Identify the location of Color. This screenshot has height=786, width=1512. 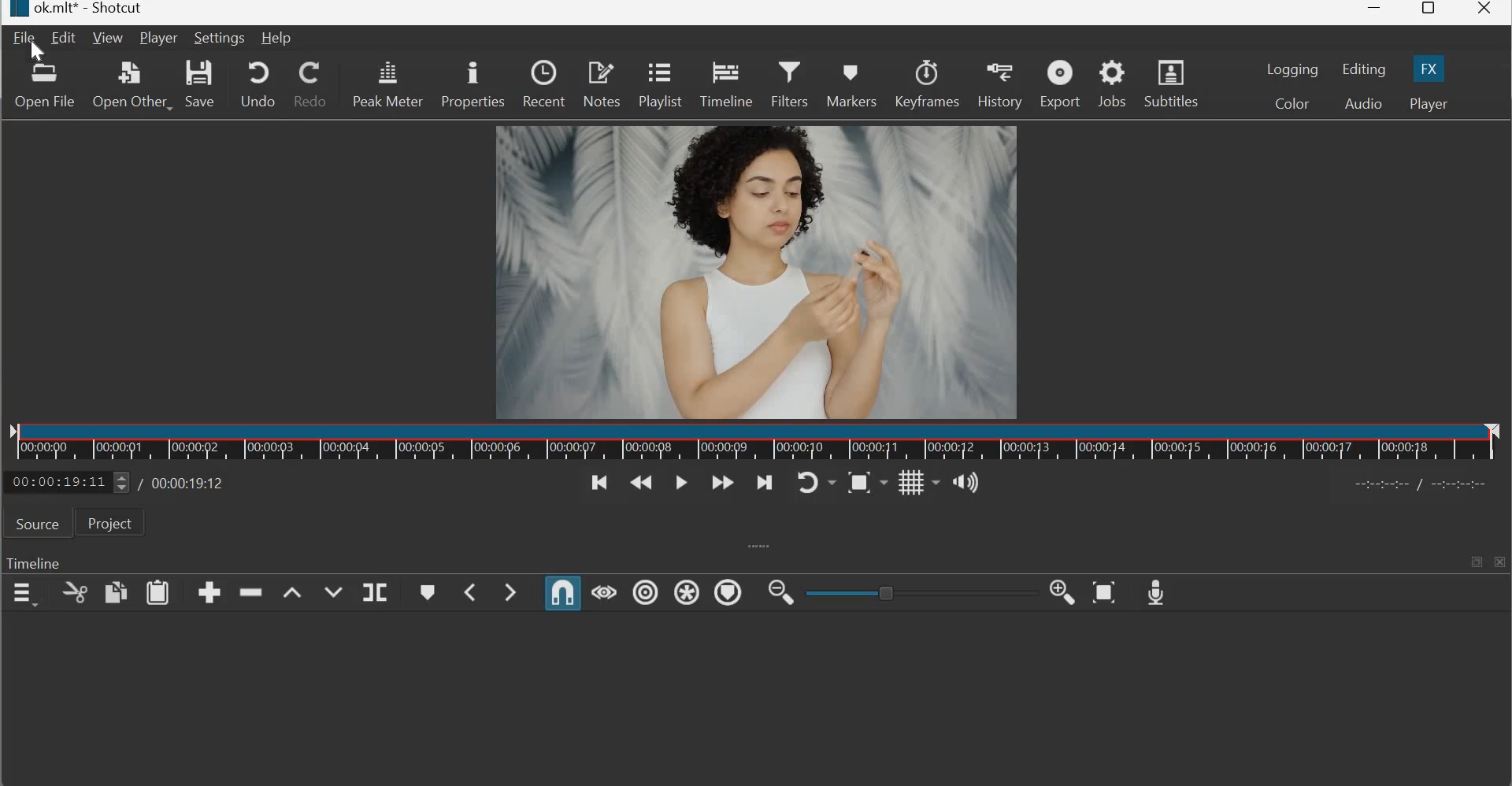
(1293, 103).